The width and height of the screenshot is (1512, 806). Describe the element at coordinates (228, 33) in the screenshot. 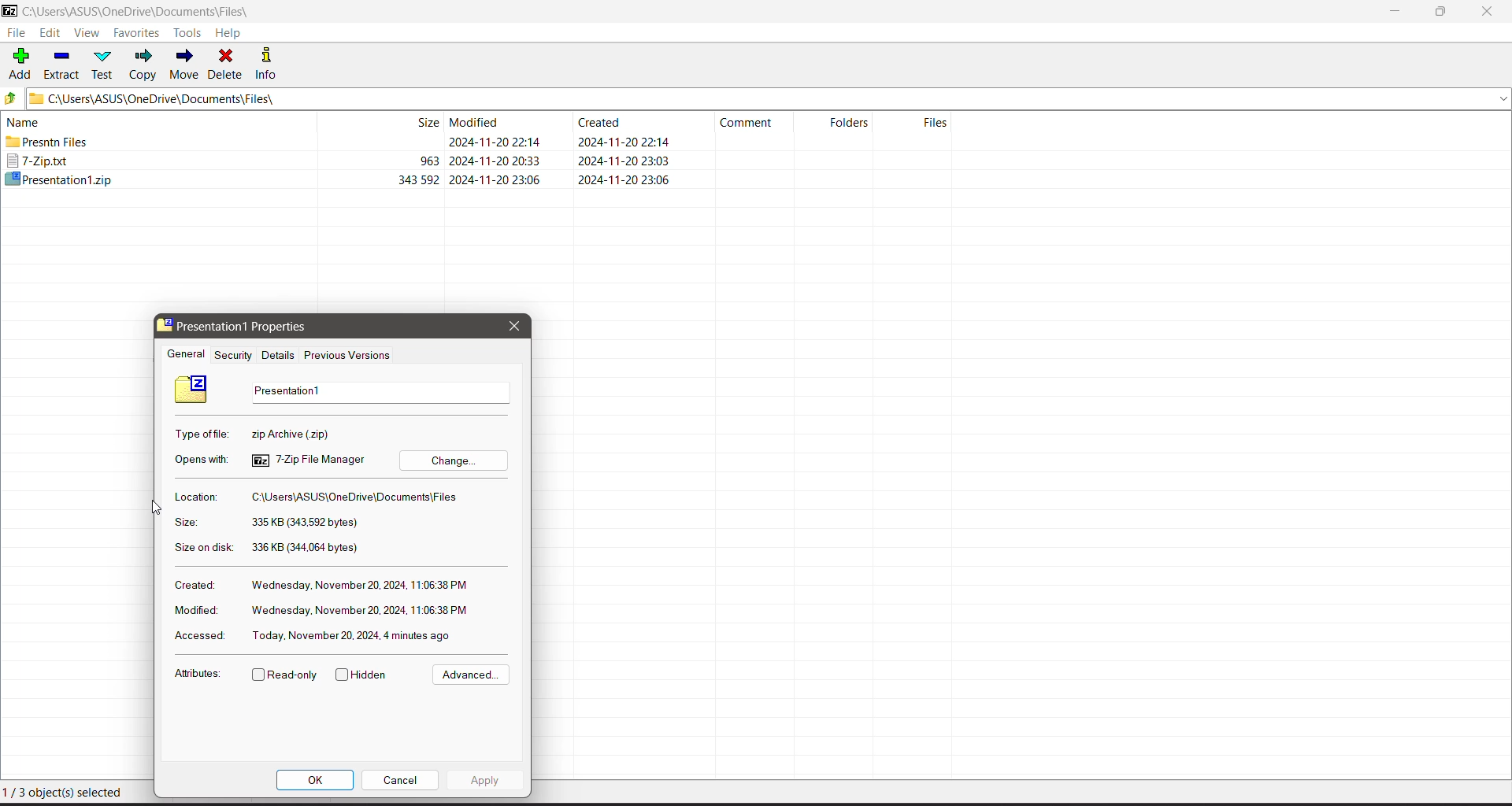

I see `Help` at that location.